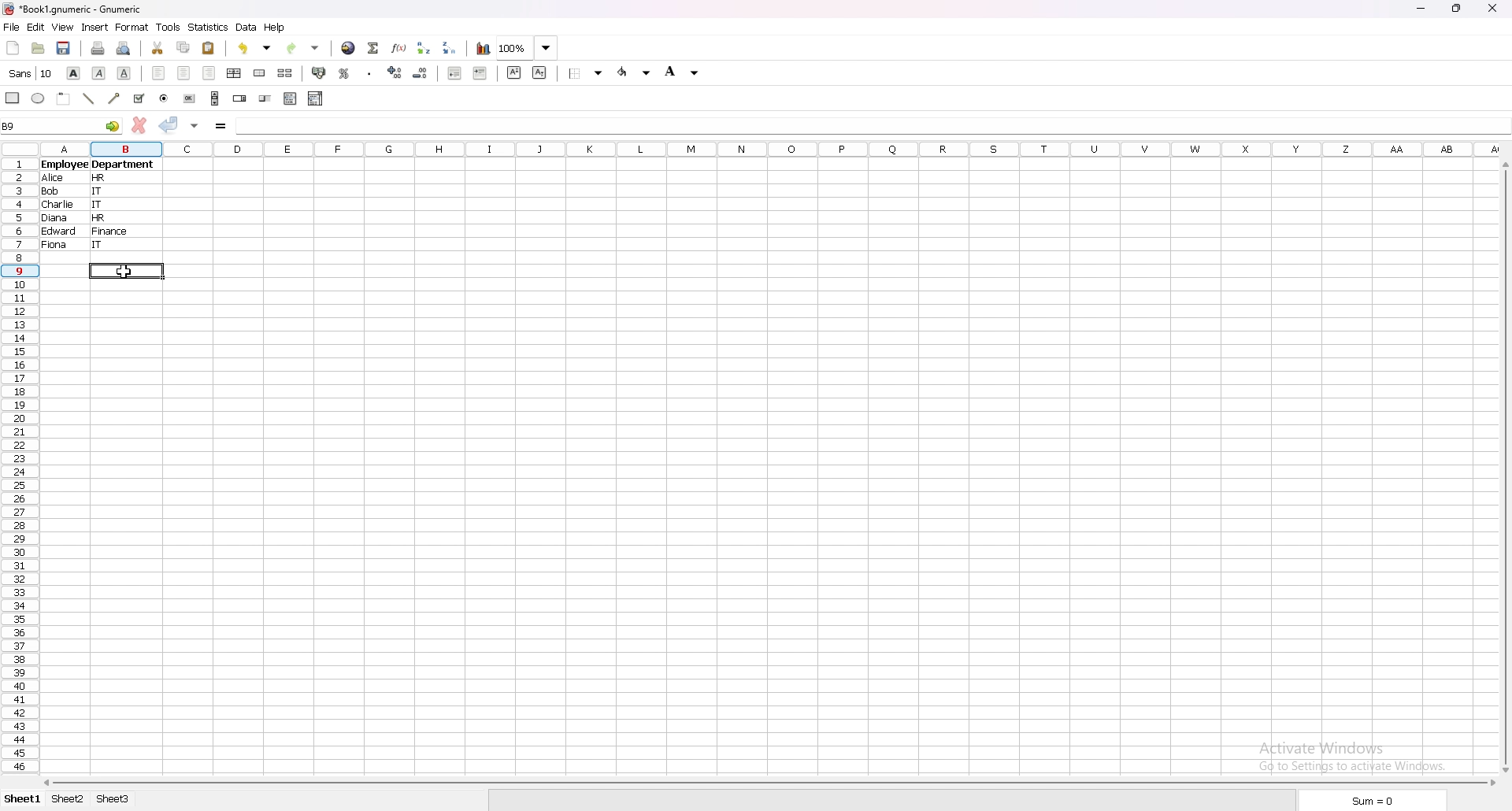 The image size is (1512, 811). Describe the element at coordinates (99, 246) in the screenshot. I see `it` at that location.